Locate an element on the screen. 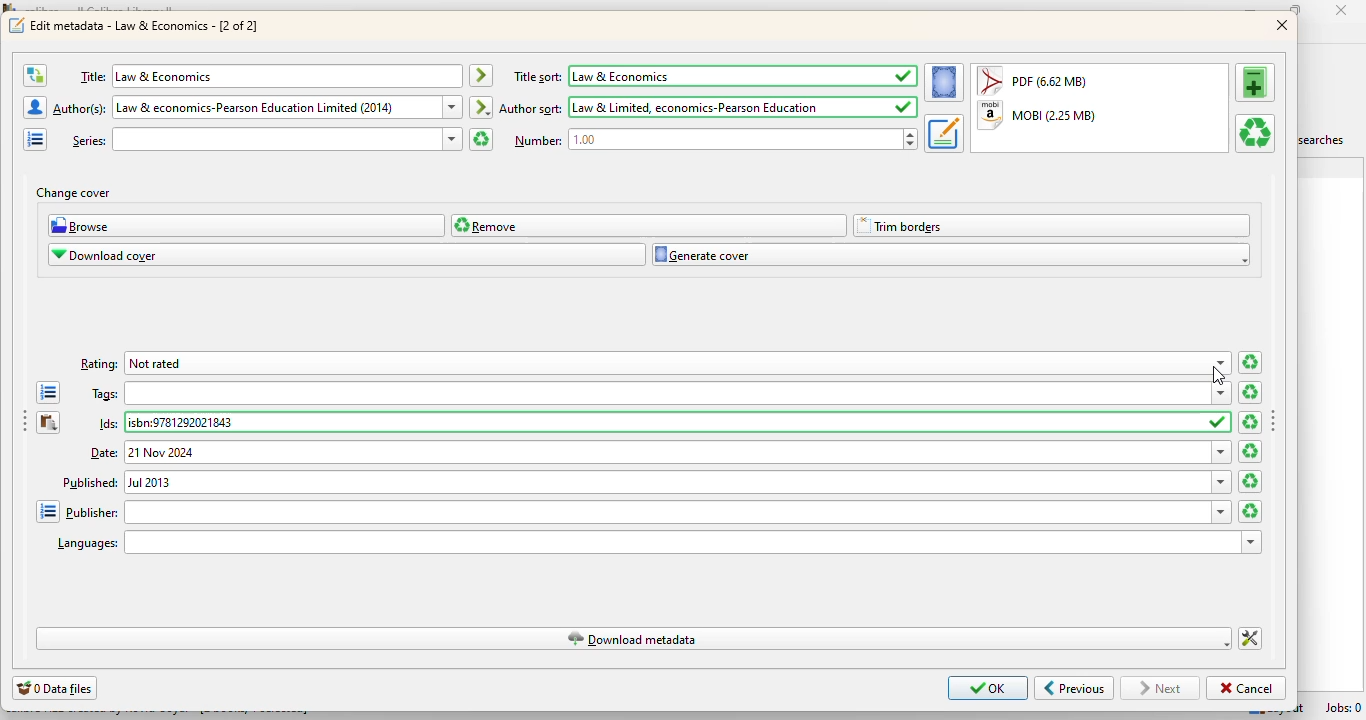  next is located at coordinates (1163, 688).